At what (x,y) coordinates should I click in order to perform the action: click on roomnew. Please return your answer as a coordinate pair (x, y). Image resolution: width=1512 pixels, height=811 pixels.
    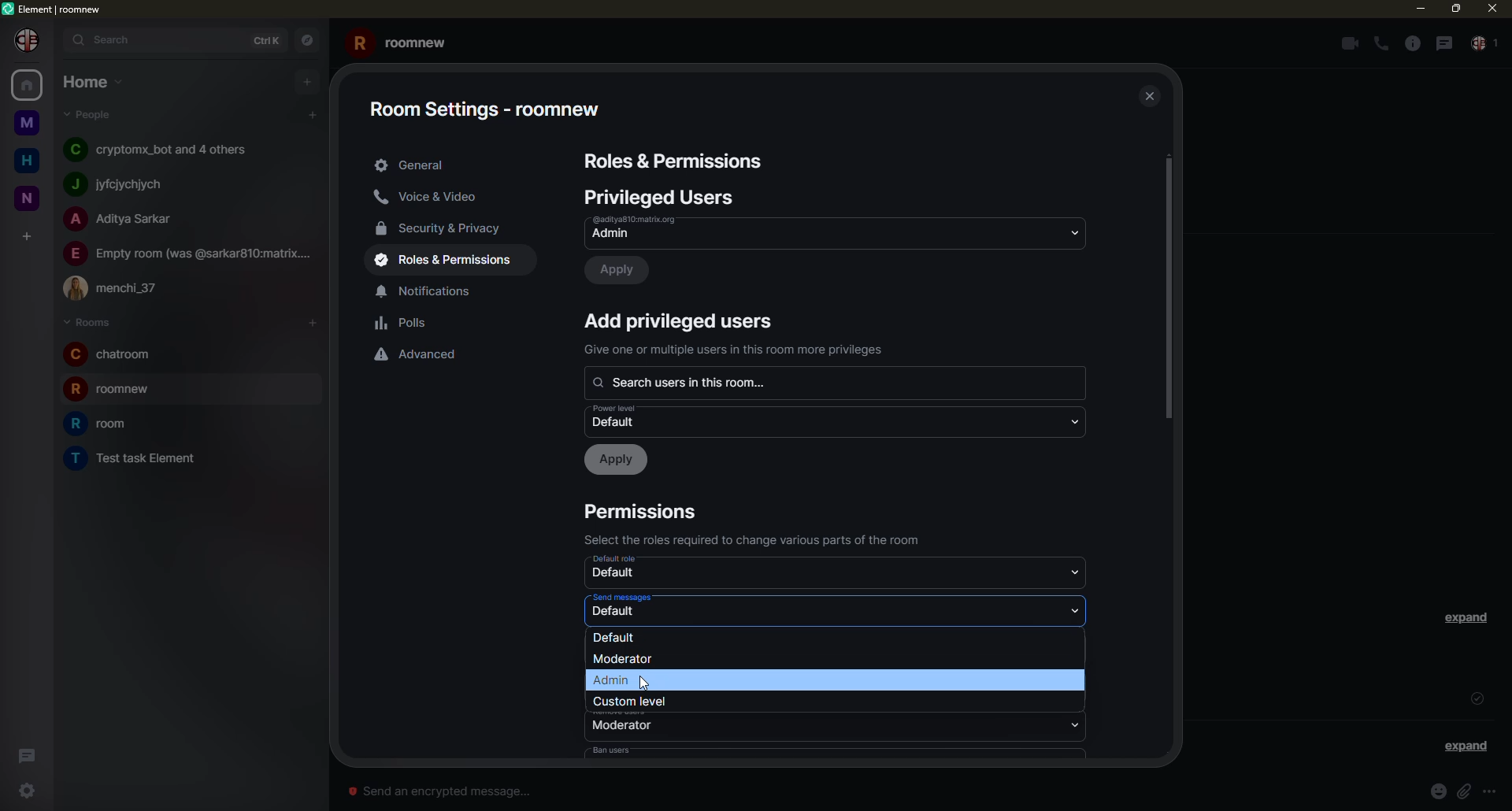
    Looking at the image, I should click on (403, 41).